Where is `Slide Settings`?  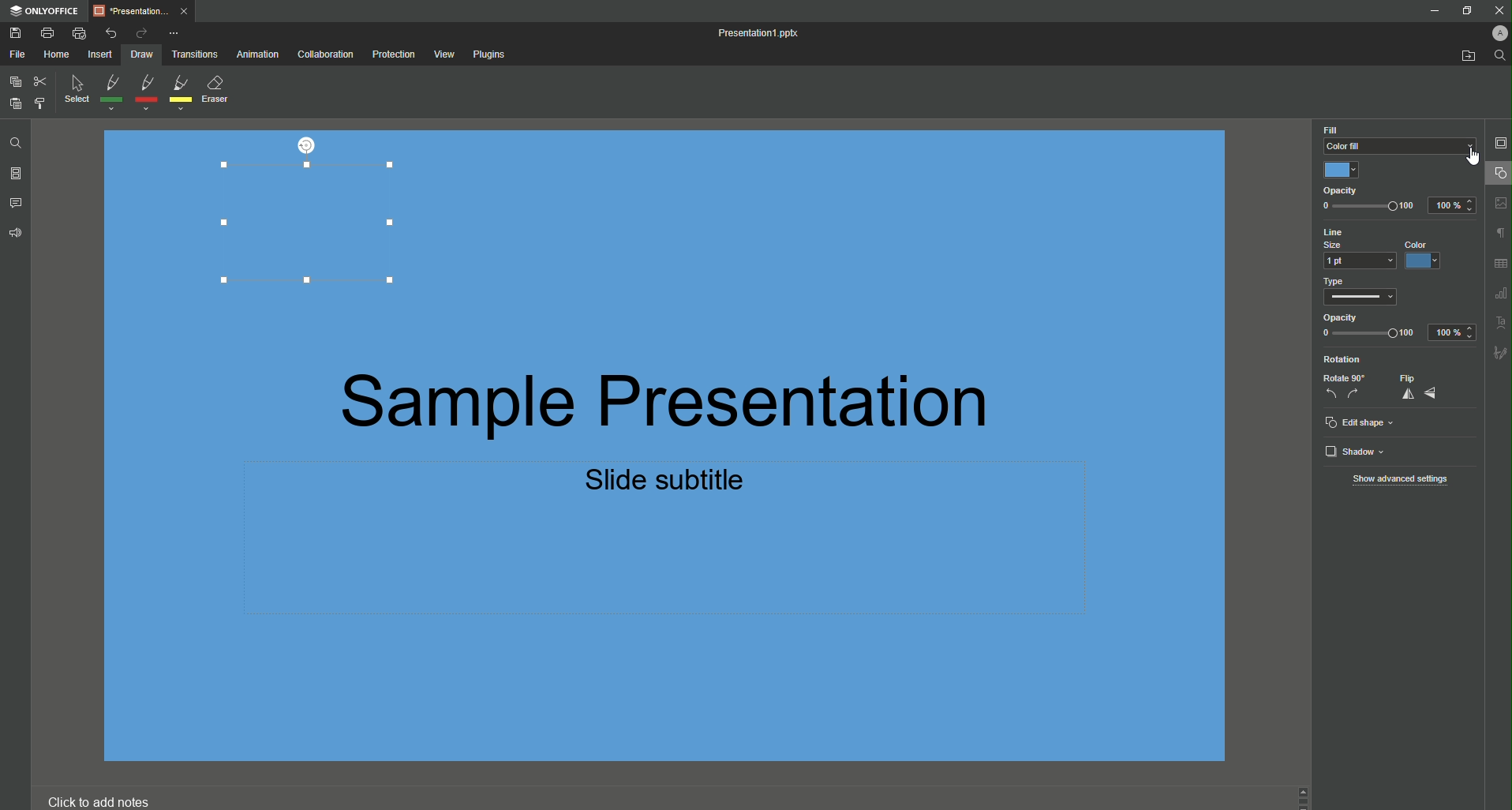
Slide Settings is located at coordinates (1500, 143).